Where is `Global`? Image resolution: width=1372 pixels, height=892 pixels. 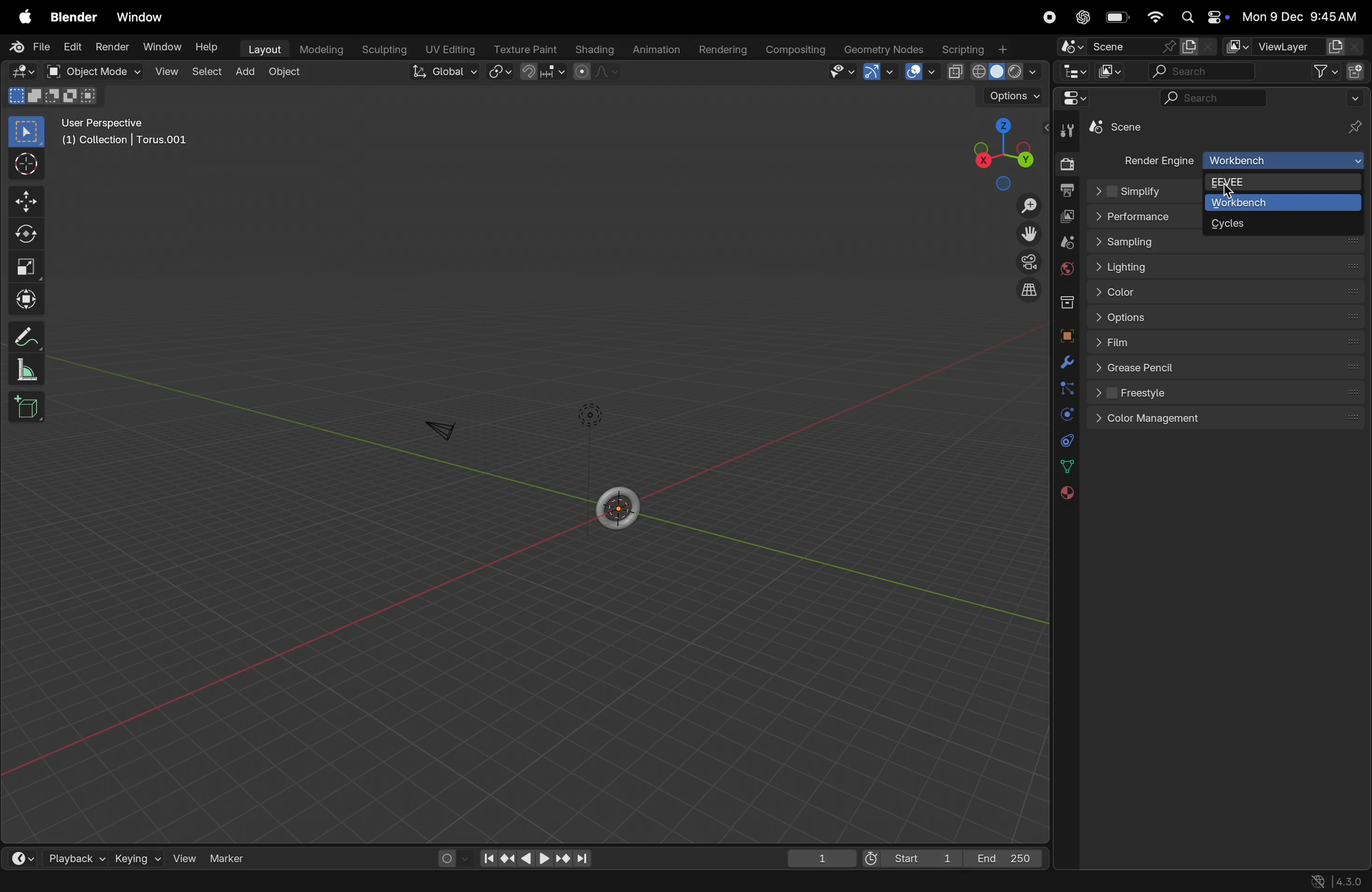 Global is located at coordinates (442, 73).